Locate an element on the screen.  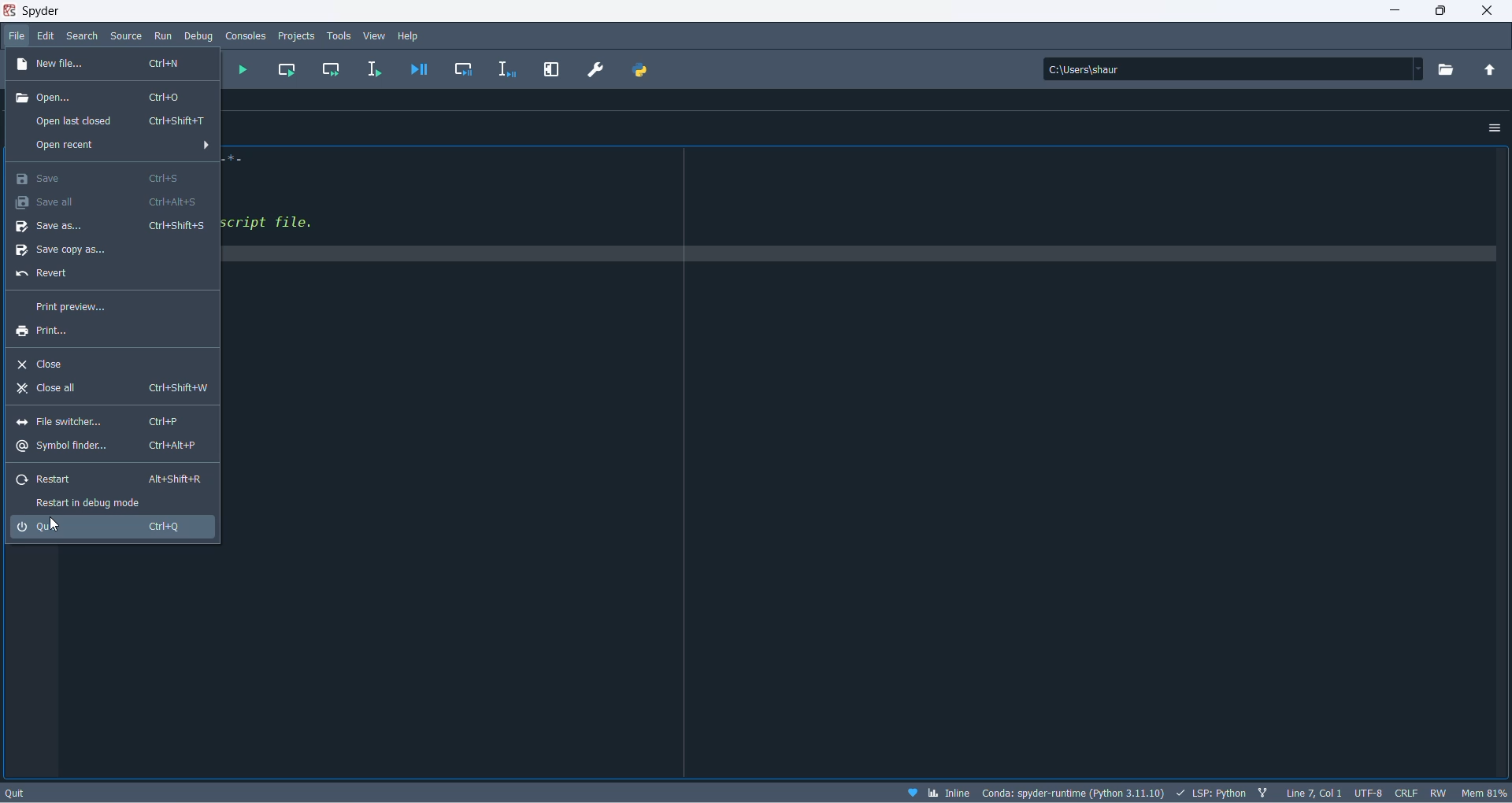
new file is located at coordinates (110, 67).